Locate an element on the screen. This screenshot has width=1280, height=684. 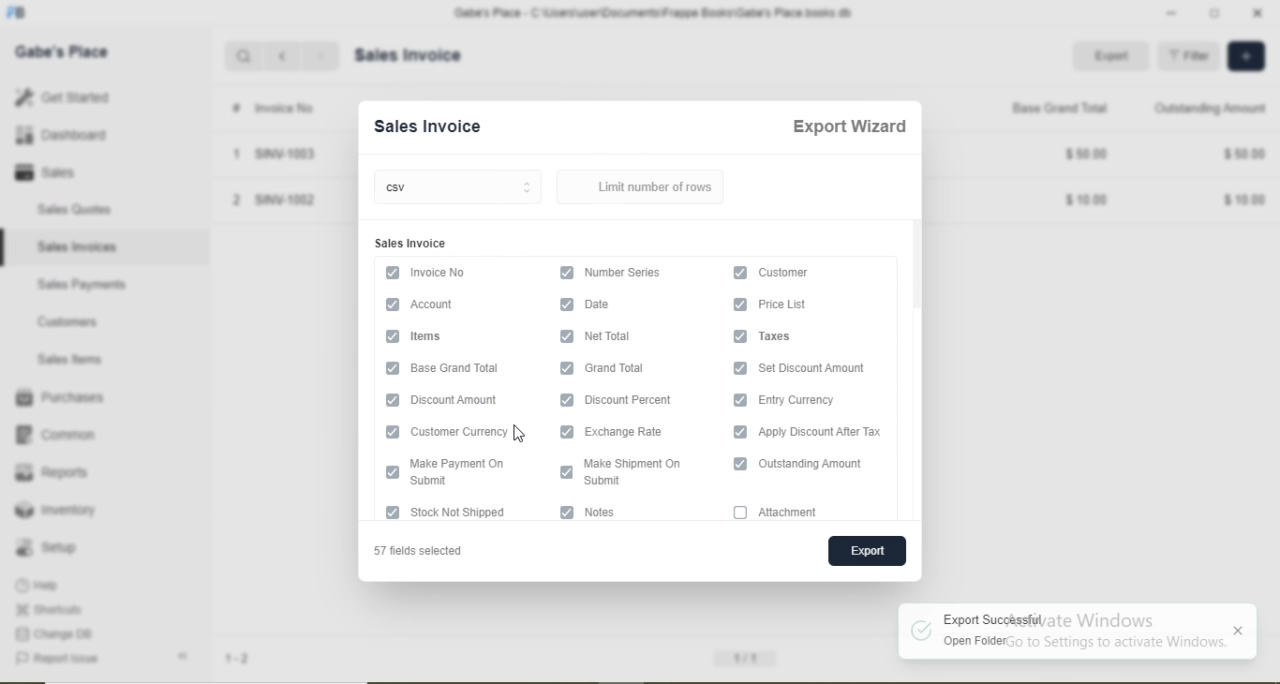
Customer is located at coordinates (788, 273).